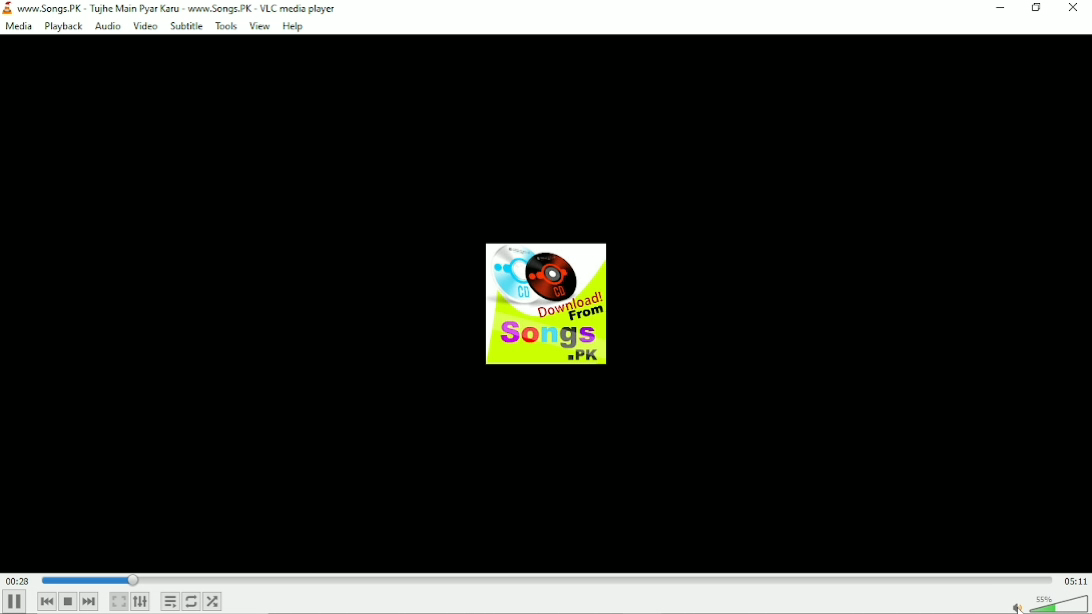 The width and height of the screenshot is (1092, 614). Describe the element at coordinates (295, 27) in the screenshot. I see `Help` at that location.